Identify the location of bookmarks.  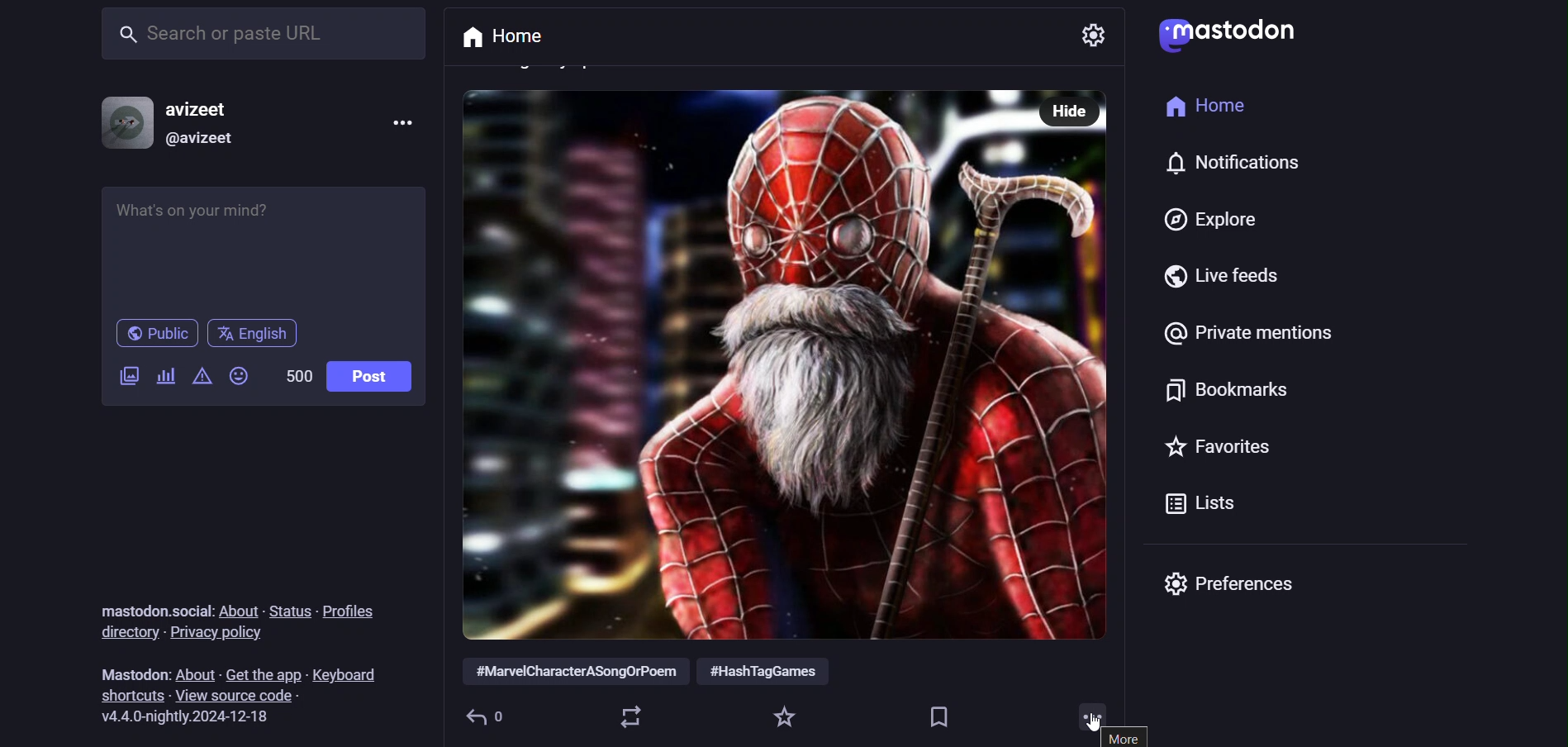
(942, 712).